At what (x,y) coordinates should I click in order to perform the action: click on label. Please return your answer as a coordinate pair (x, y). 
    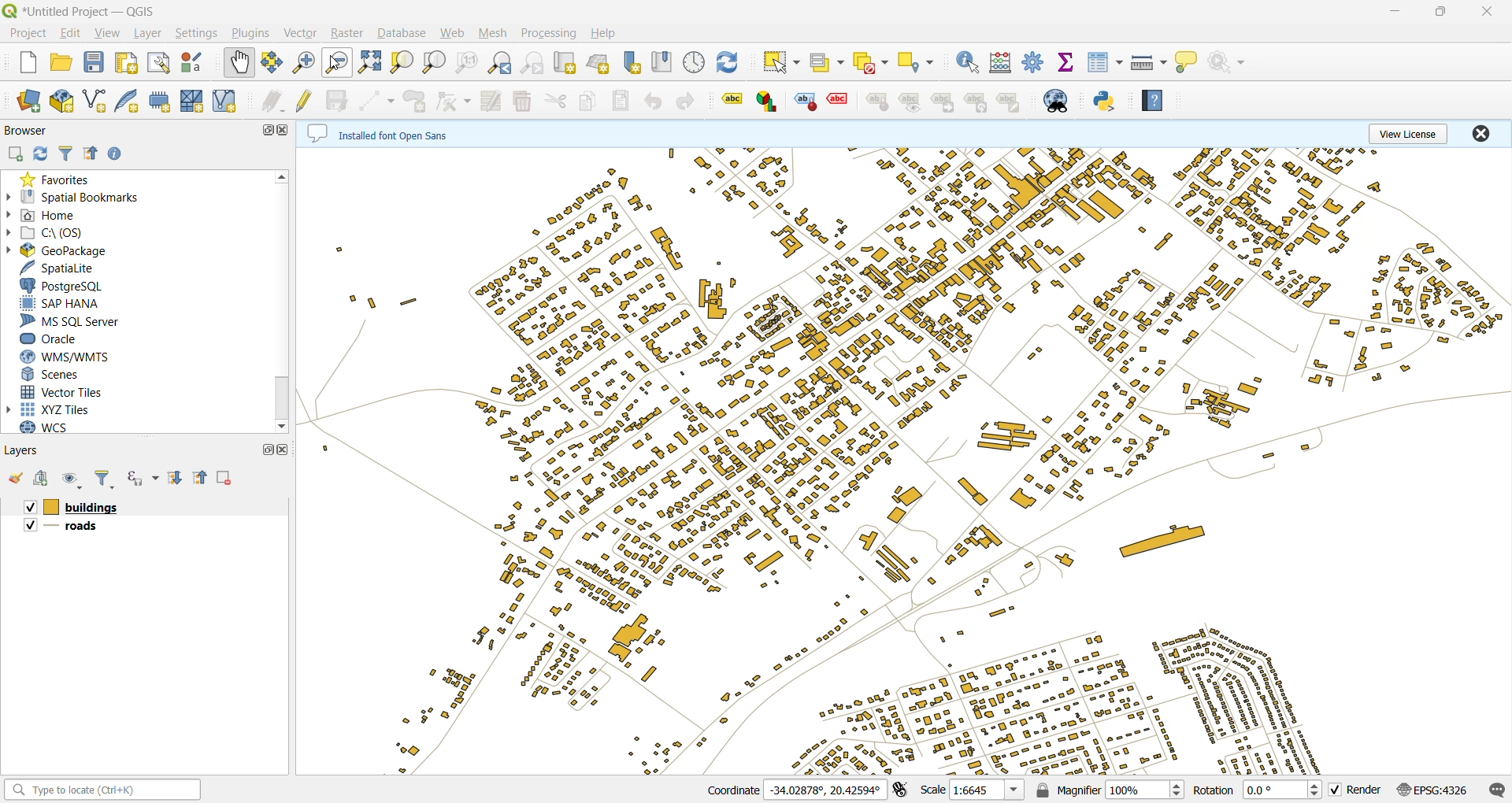
    Looking at the image, I should click on (734, 101).